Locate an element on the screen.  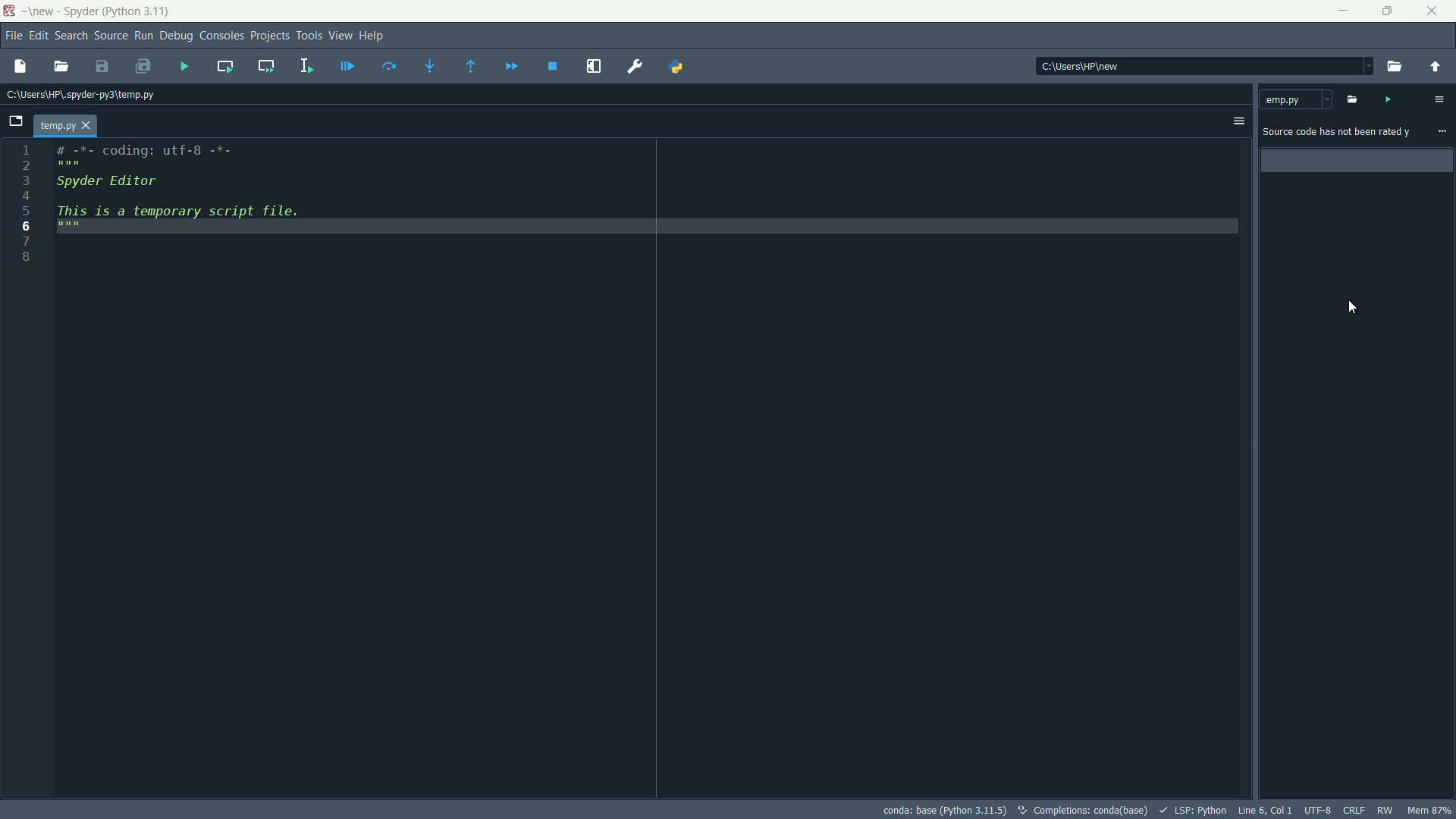
run menu is located at coordinates (143, 37).